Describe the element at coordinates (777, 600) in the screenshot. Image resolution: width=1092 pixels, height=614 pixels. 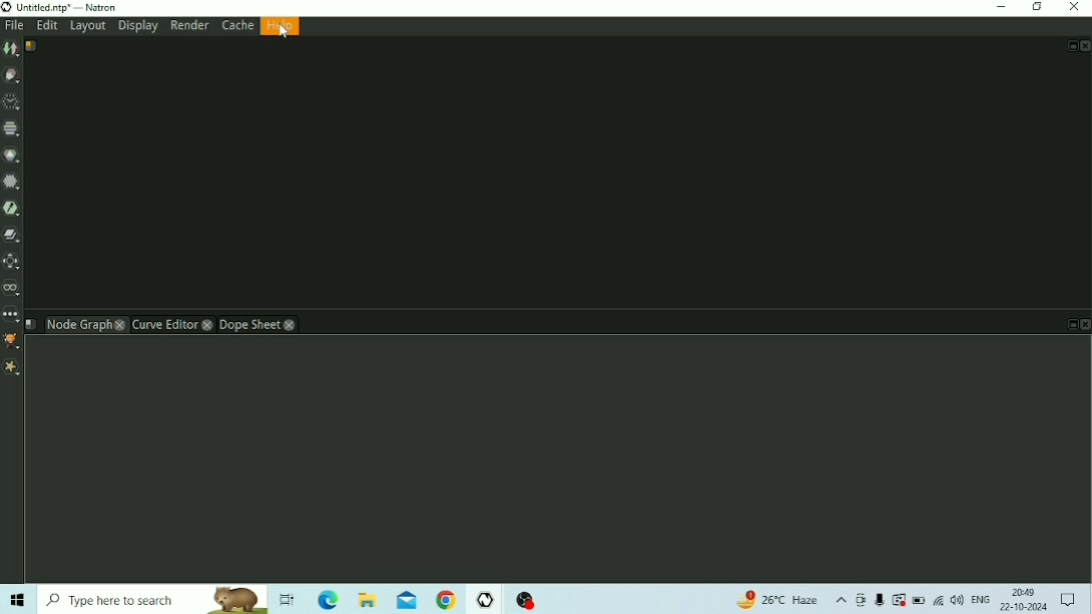
I see `Temperature` at that location.